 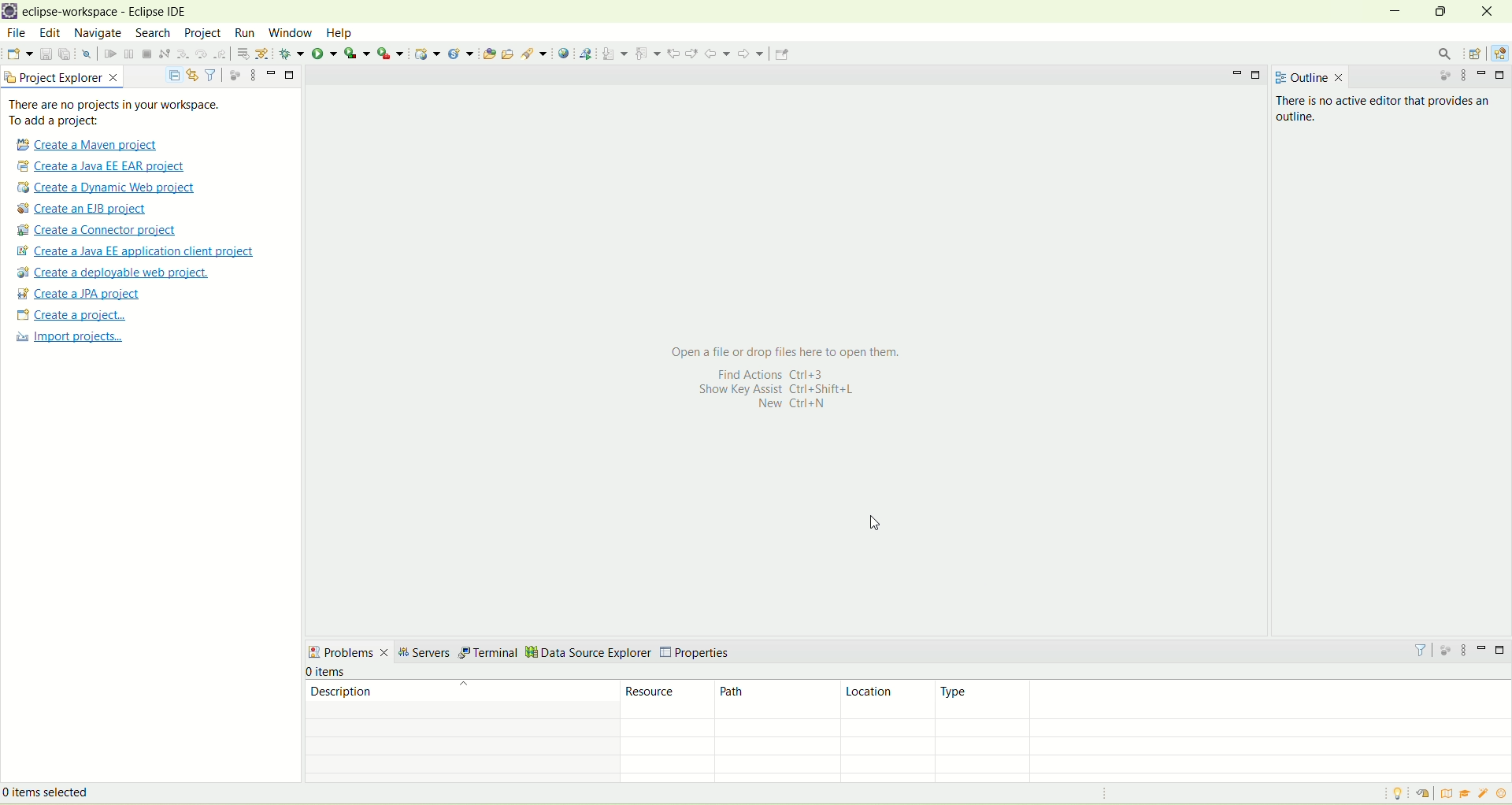 What do you see at coordinates (457, 697) in the screenshot?
I see `description` at bounding box center [457, 697].